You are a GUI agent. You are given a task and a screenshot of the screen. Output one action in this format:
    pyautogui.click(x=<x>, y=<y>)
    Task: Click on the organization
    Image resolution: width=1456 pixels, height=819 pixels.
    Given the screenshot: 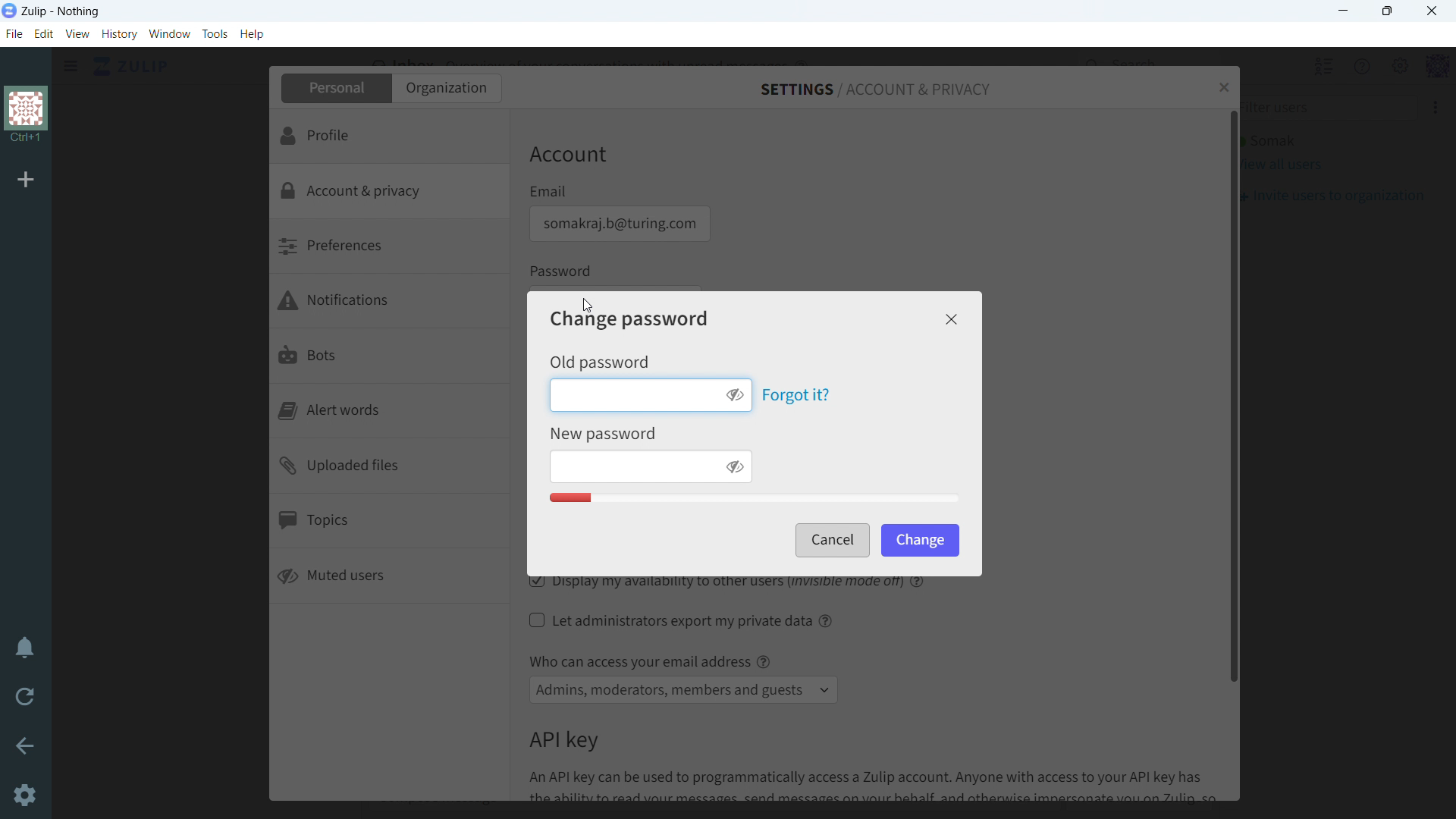 What is the action you would take?
    pyautogui.click(x=446, y=88)
    